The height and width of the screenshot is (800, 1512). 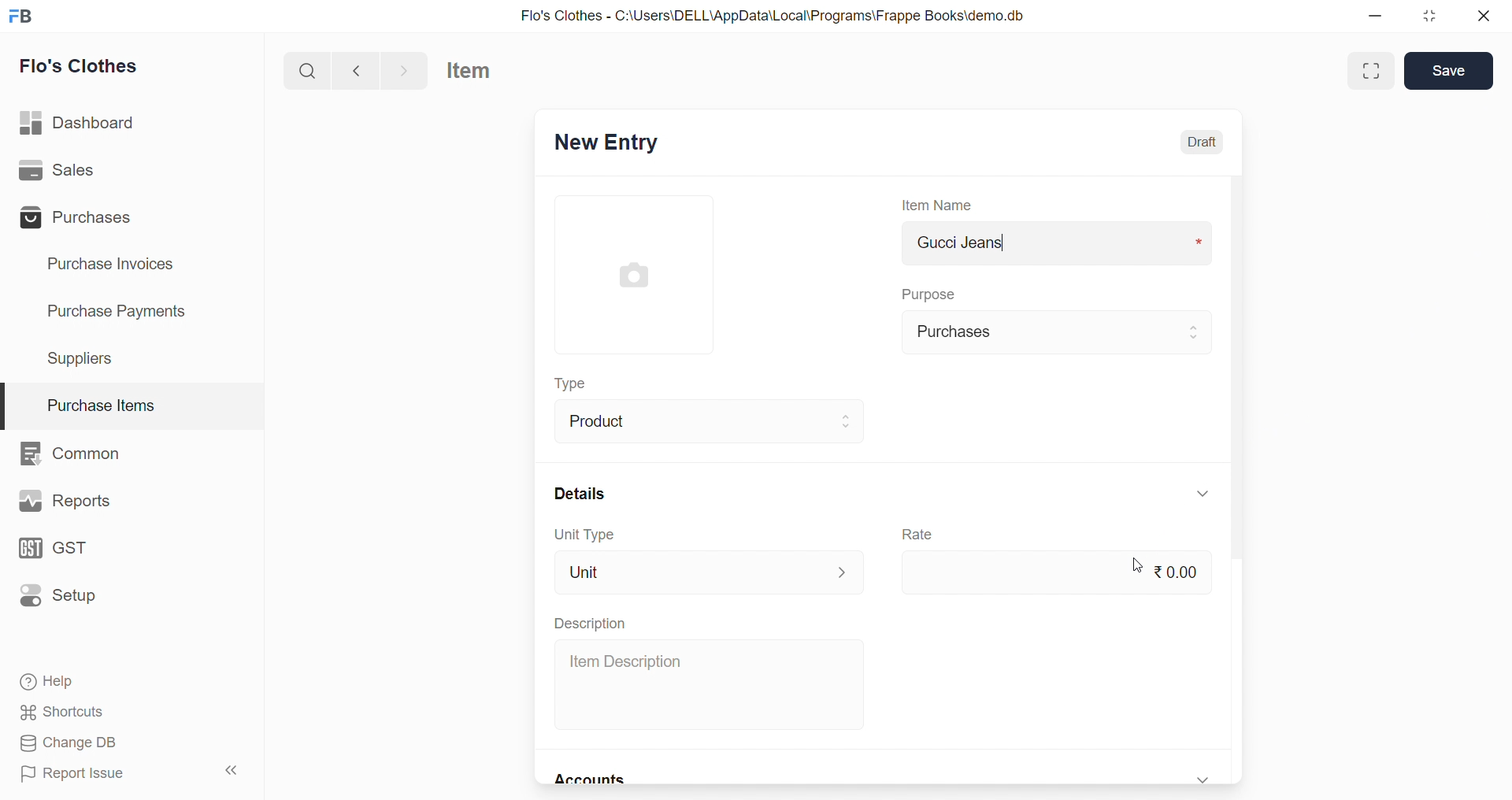 What do you see at coordinates (713, 685) in the screenshot?
I see `Item Description` at bounding box center [713, 685].